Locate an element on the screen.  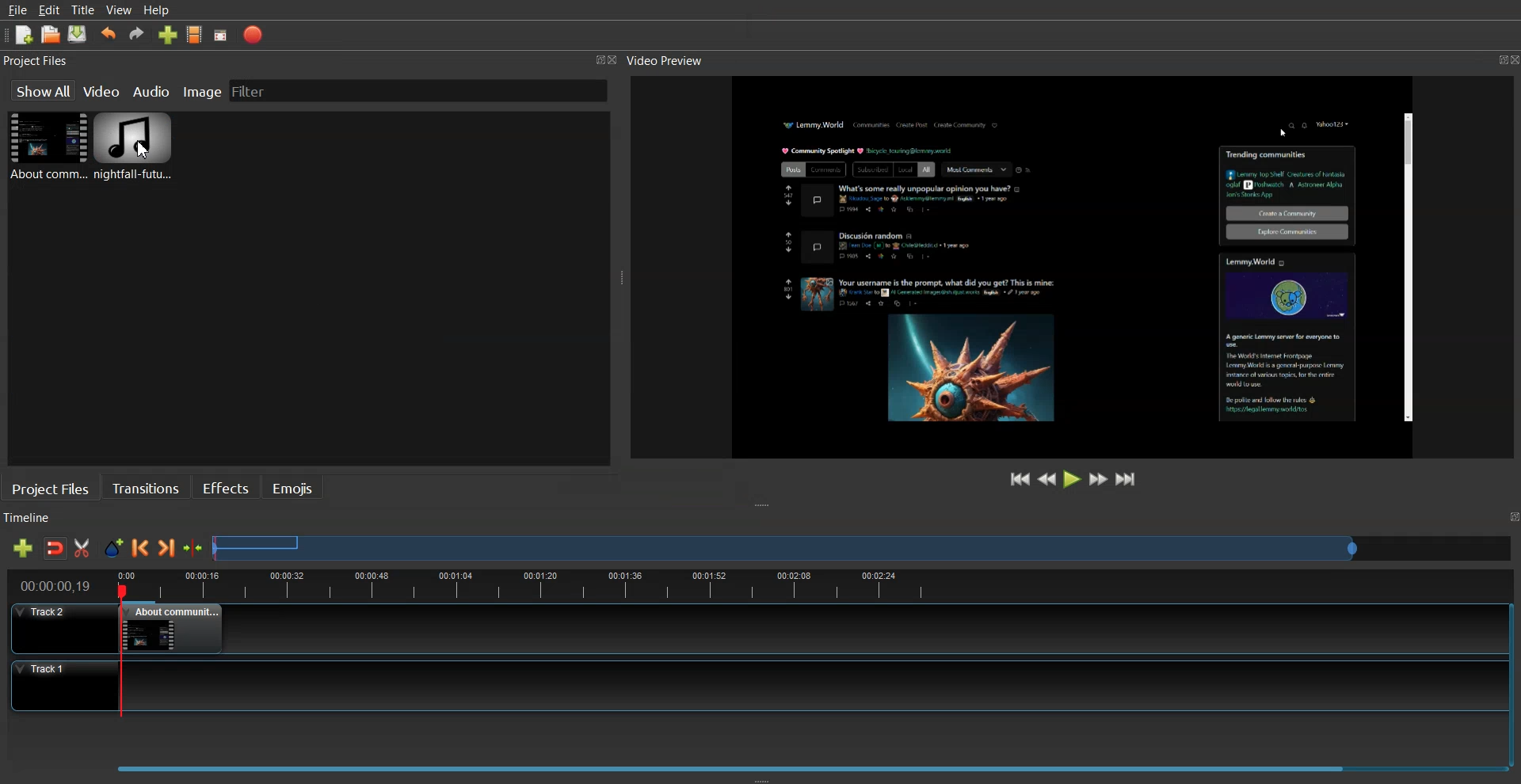
Filter is located at coordinates (262, 90).